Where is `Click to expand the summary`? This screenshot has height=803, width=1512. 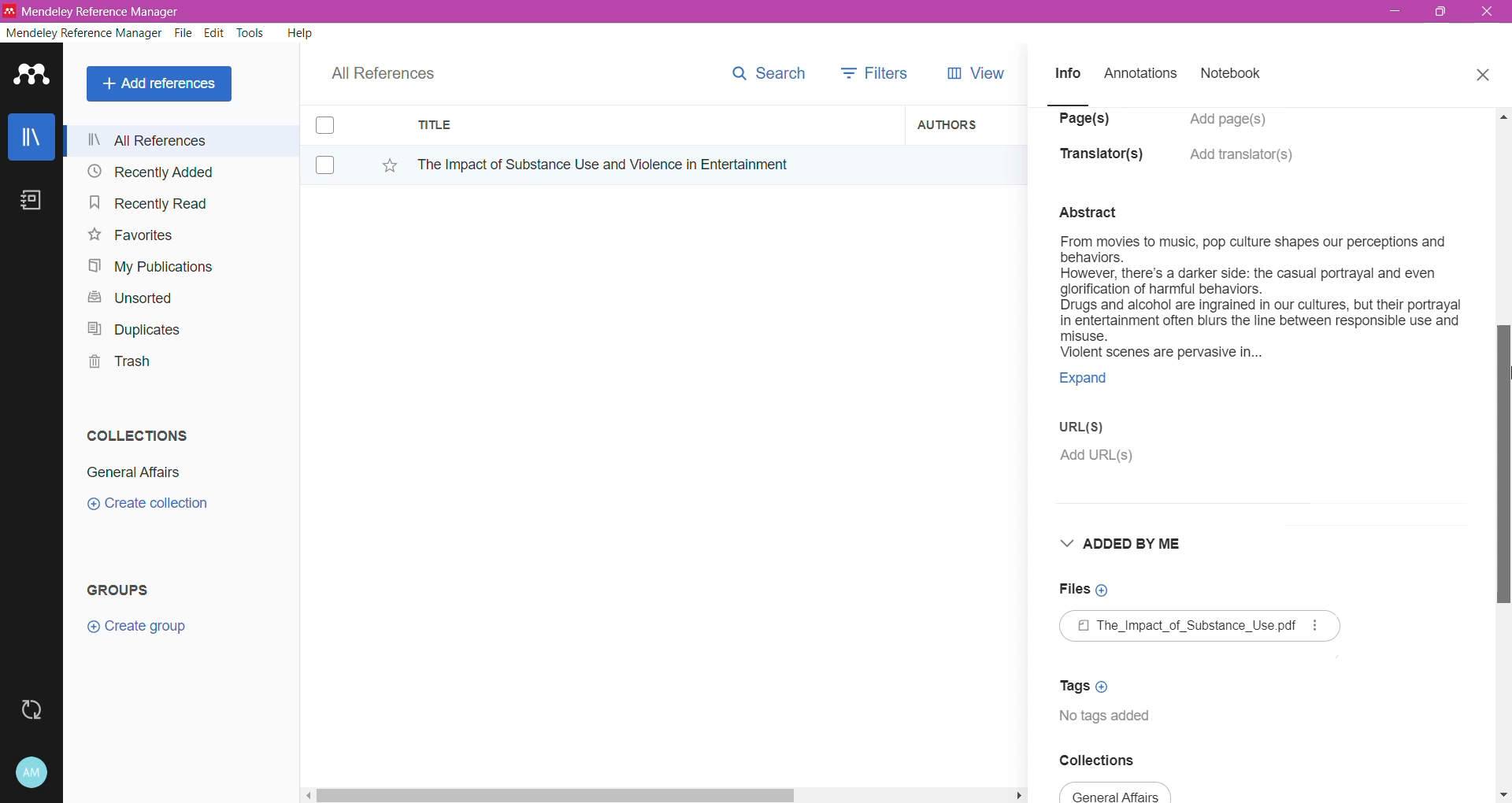 Click to expand the summary is located at coordinates (1095, 379).